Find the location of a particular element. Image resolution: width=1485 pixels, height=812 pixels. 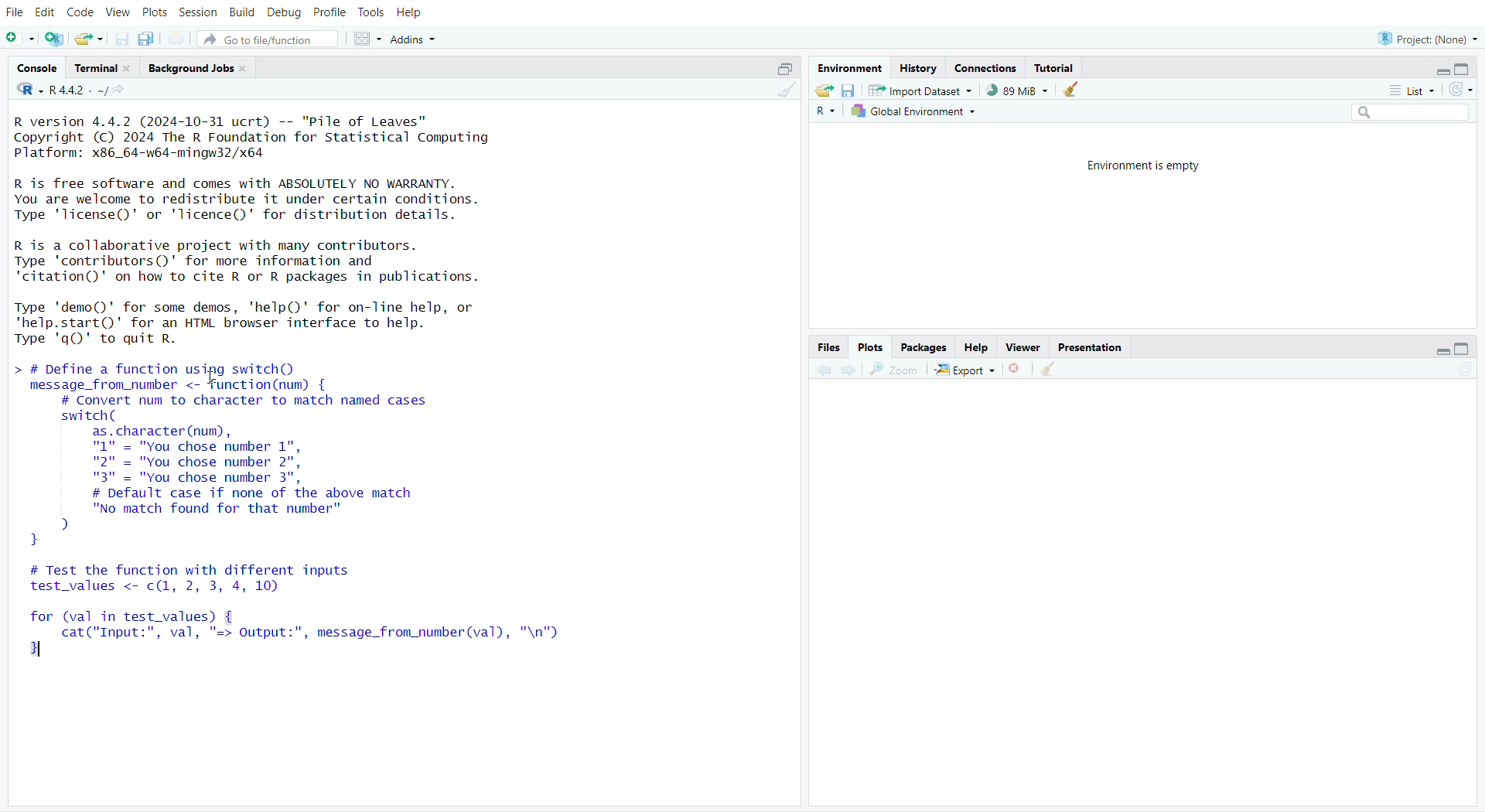

Current console (Ctrl + L) is located at coordinates (1074, 92).